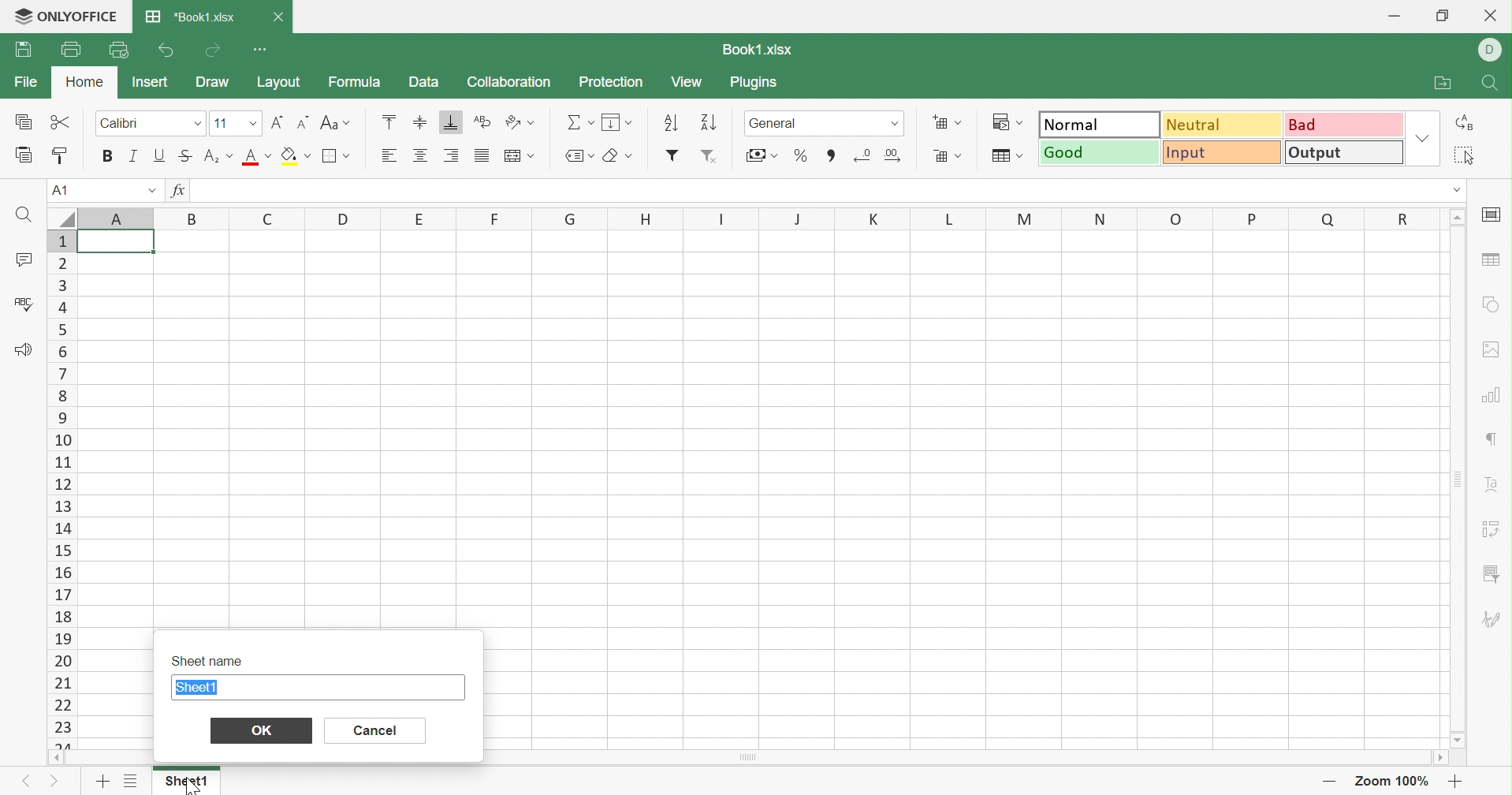 The image size is (1512, 795). Describe the element at coordinates (1456, 740) in the screenshot. I see `Scroll down` at that location.